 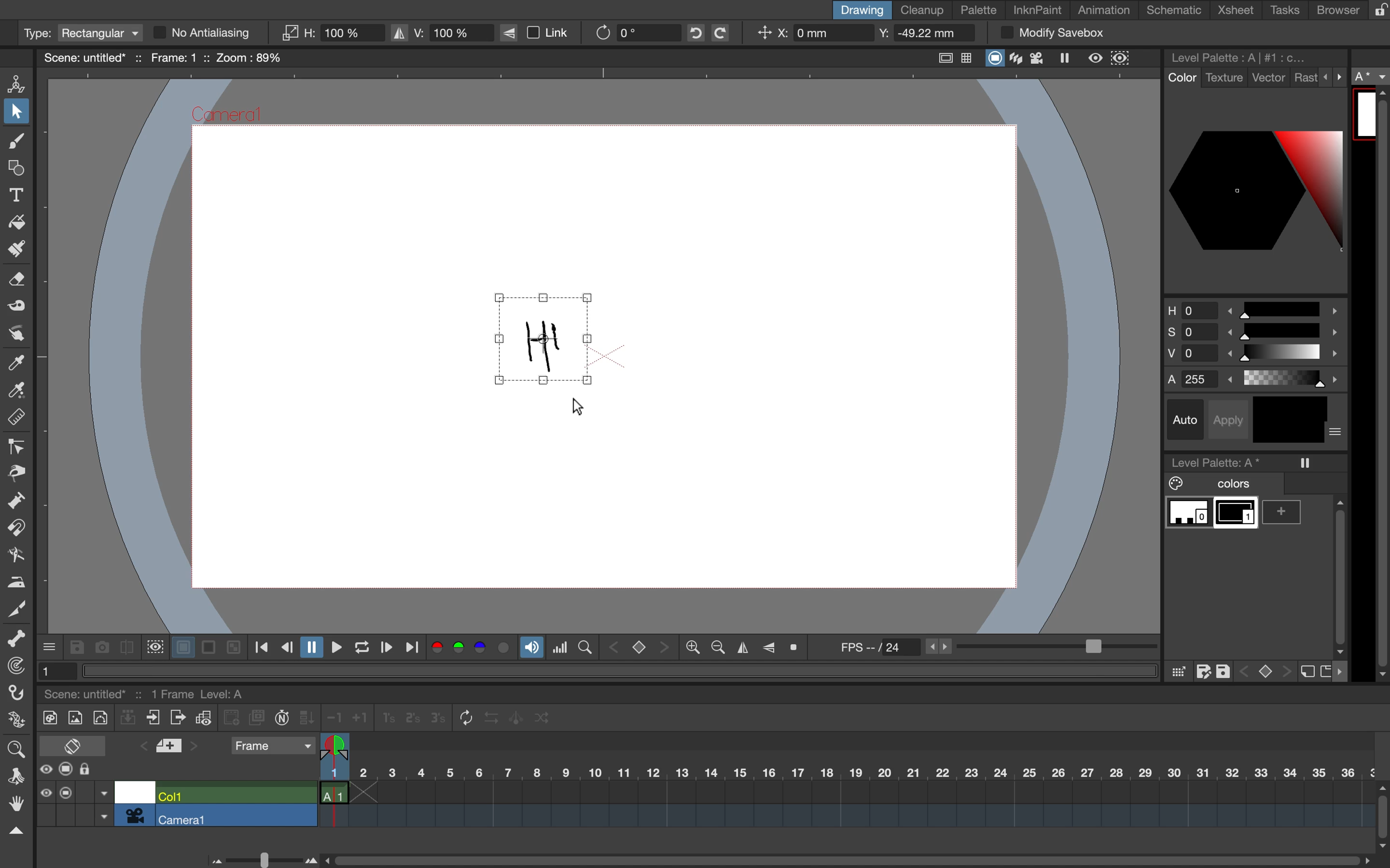 What do you see at coordinates (967, 59) in the screenshot?
I see `field guide` at bounding box center [967, 59].